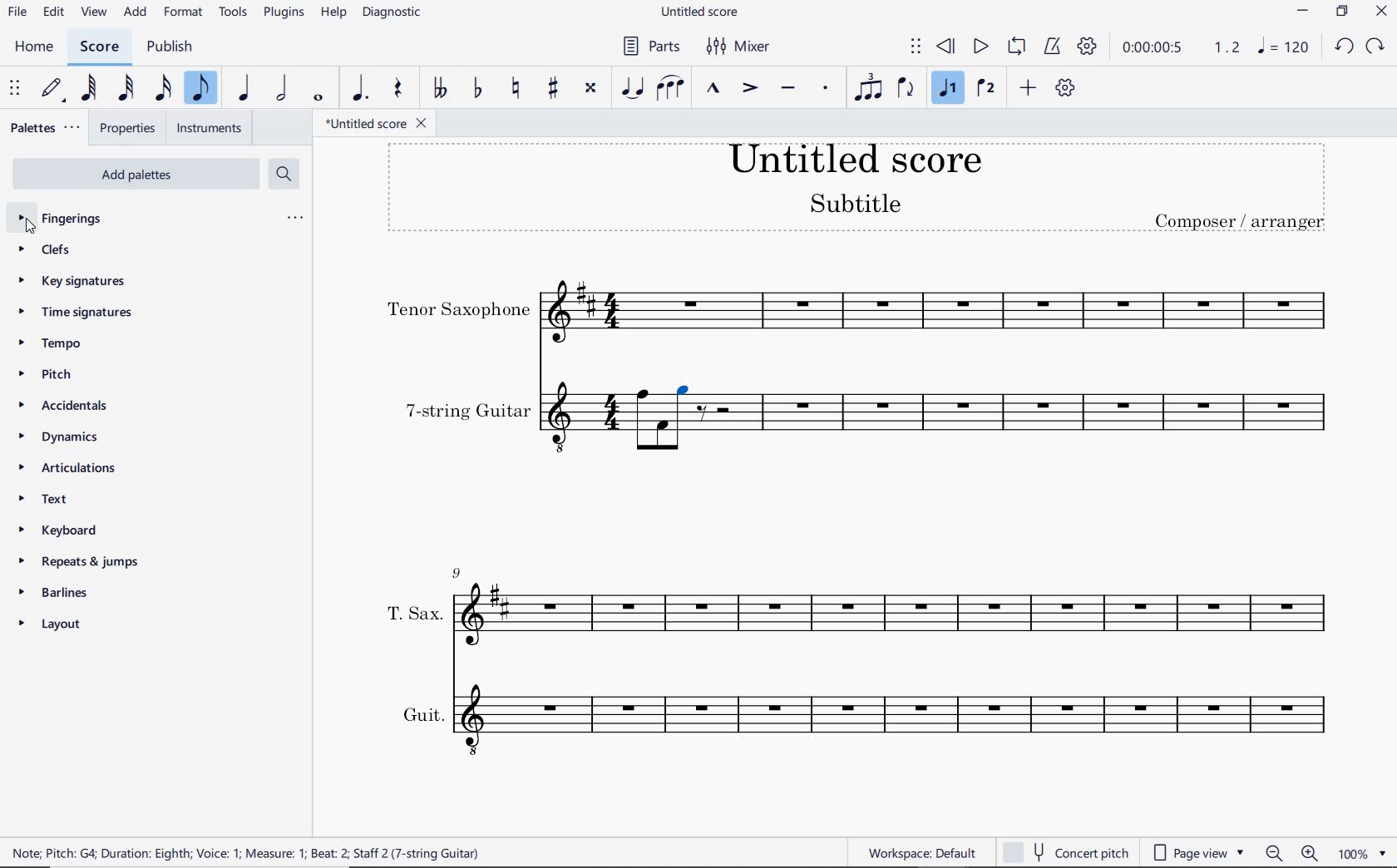  I want to click on PITCH, so click(64, 375).